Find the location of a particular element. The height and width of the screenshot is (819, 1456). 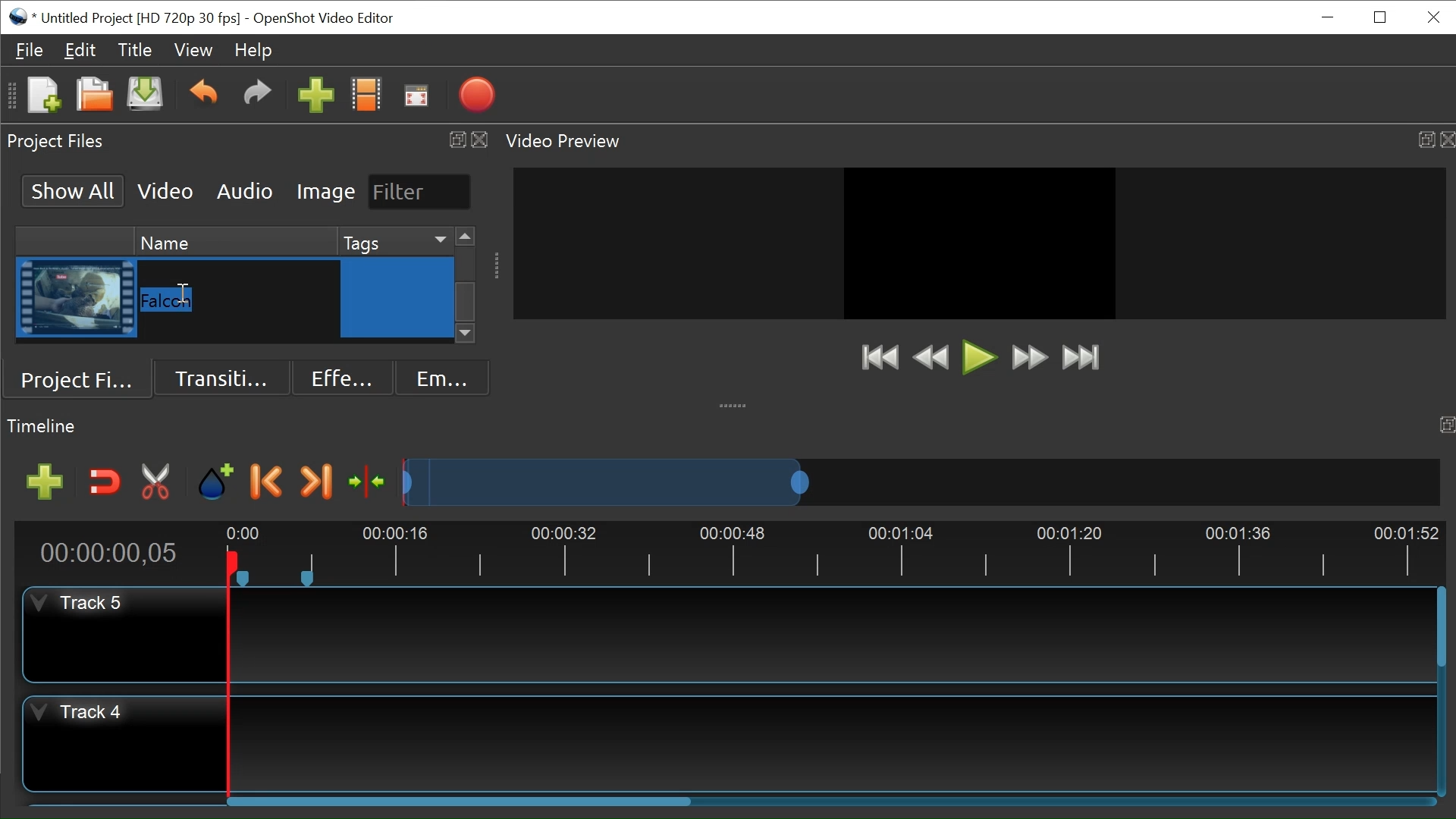

Image is located at coordinates (326, 193).